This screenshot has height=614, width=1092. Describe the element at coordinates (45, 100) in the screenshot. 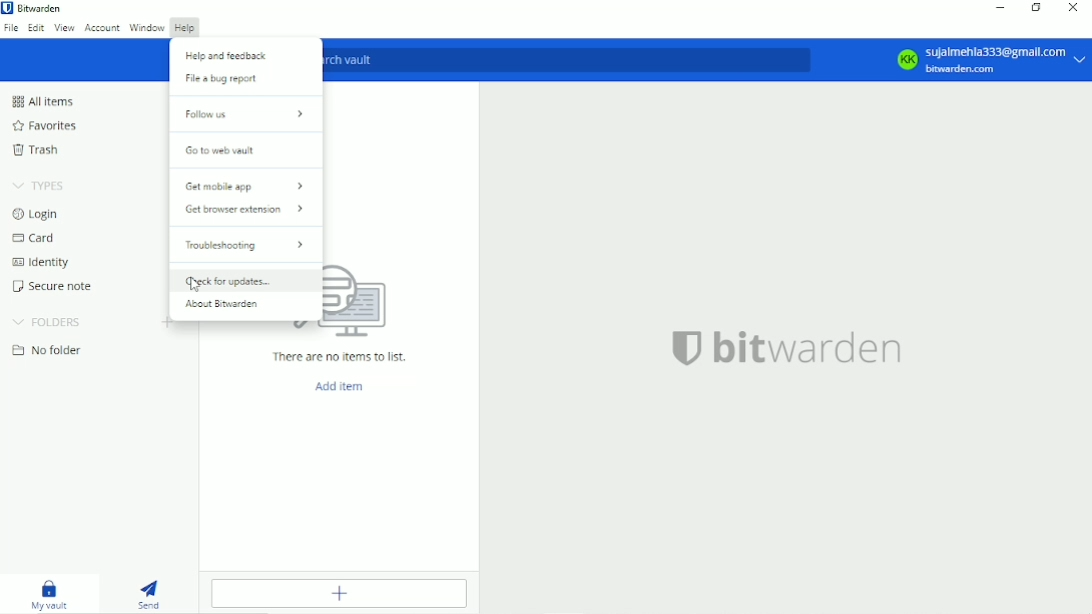

I see `All items` at that location.